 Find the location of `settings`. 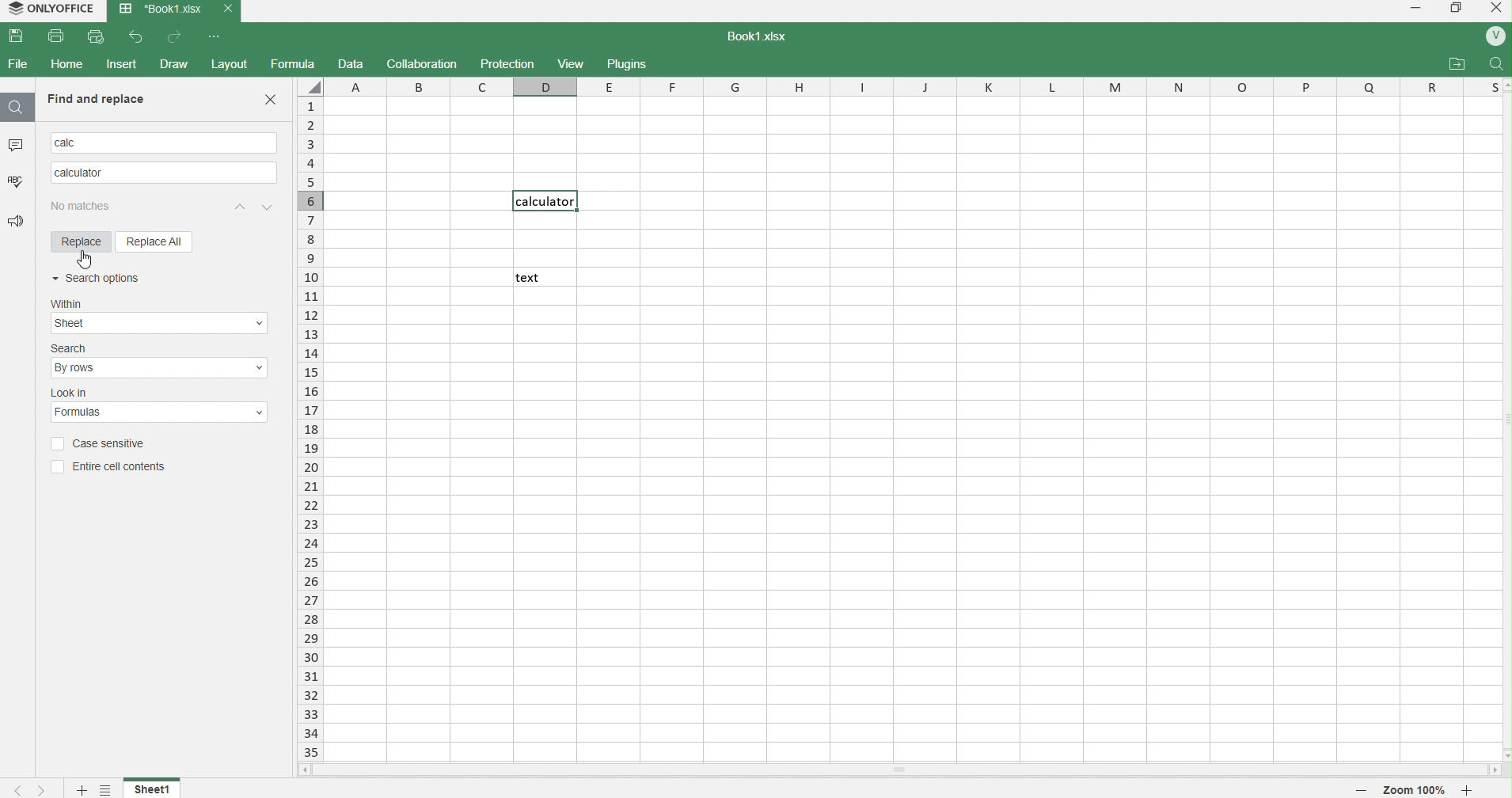

settings is located at coordinates (107, 788).